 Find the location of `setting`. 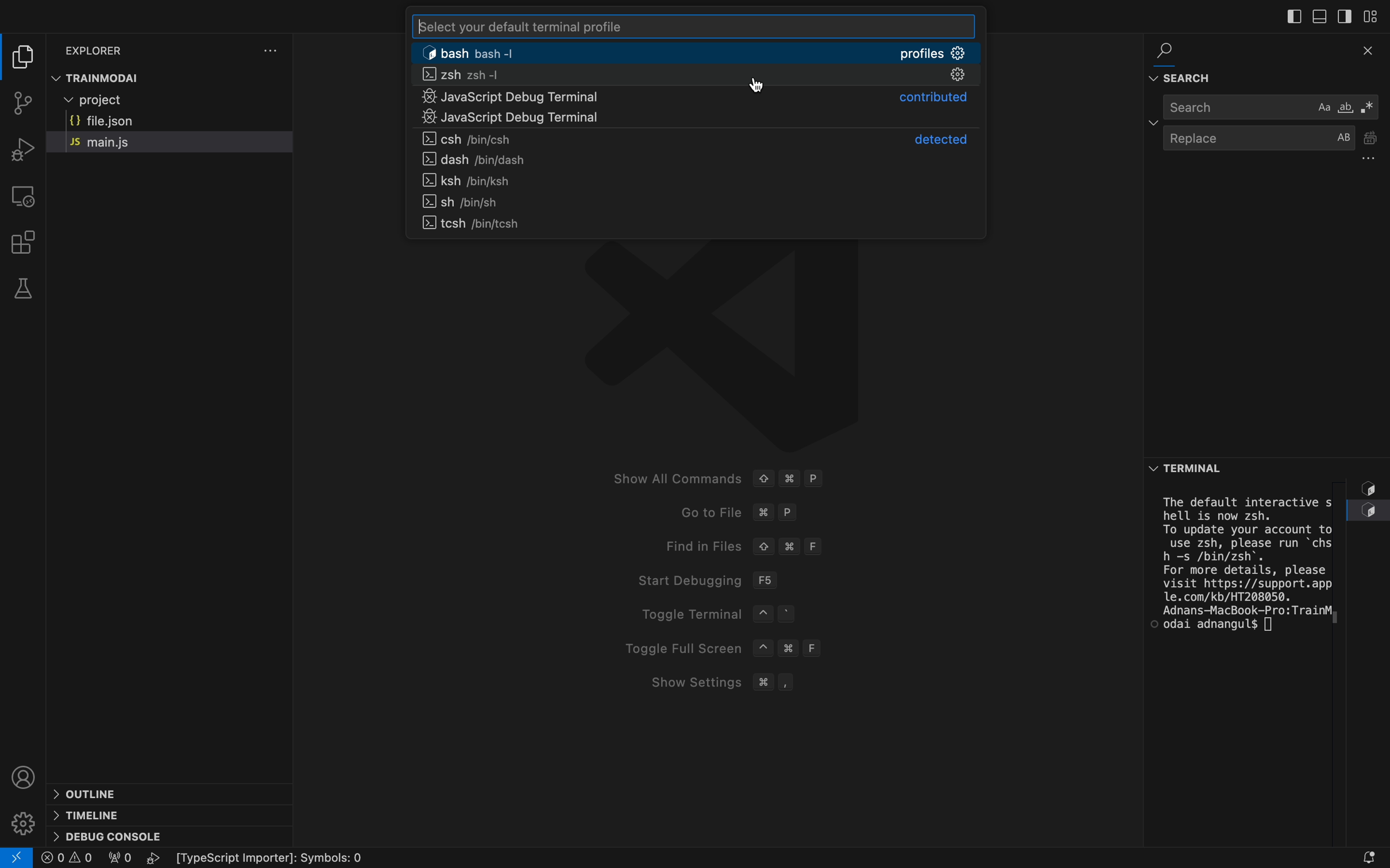

setting is located at coordinates (23, 817).